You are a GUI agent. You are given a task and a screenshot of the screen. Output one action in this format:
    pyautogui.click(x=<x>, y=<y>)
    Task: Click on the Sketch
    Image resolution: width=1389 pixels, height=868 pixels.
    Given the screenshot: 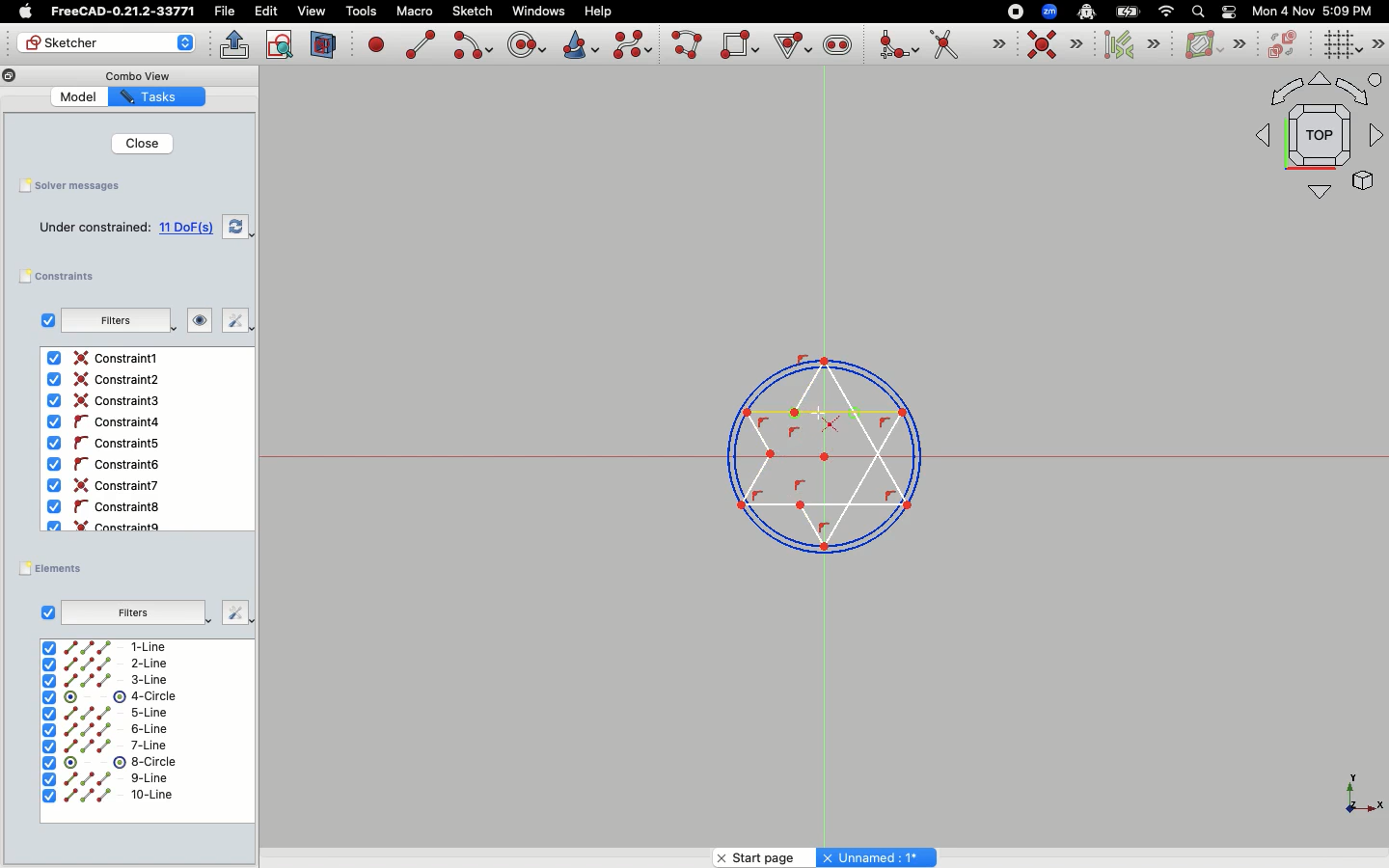 What is the action you would take?
    pyautogui.click(x=474, y=12)
    